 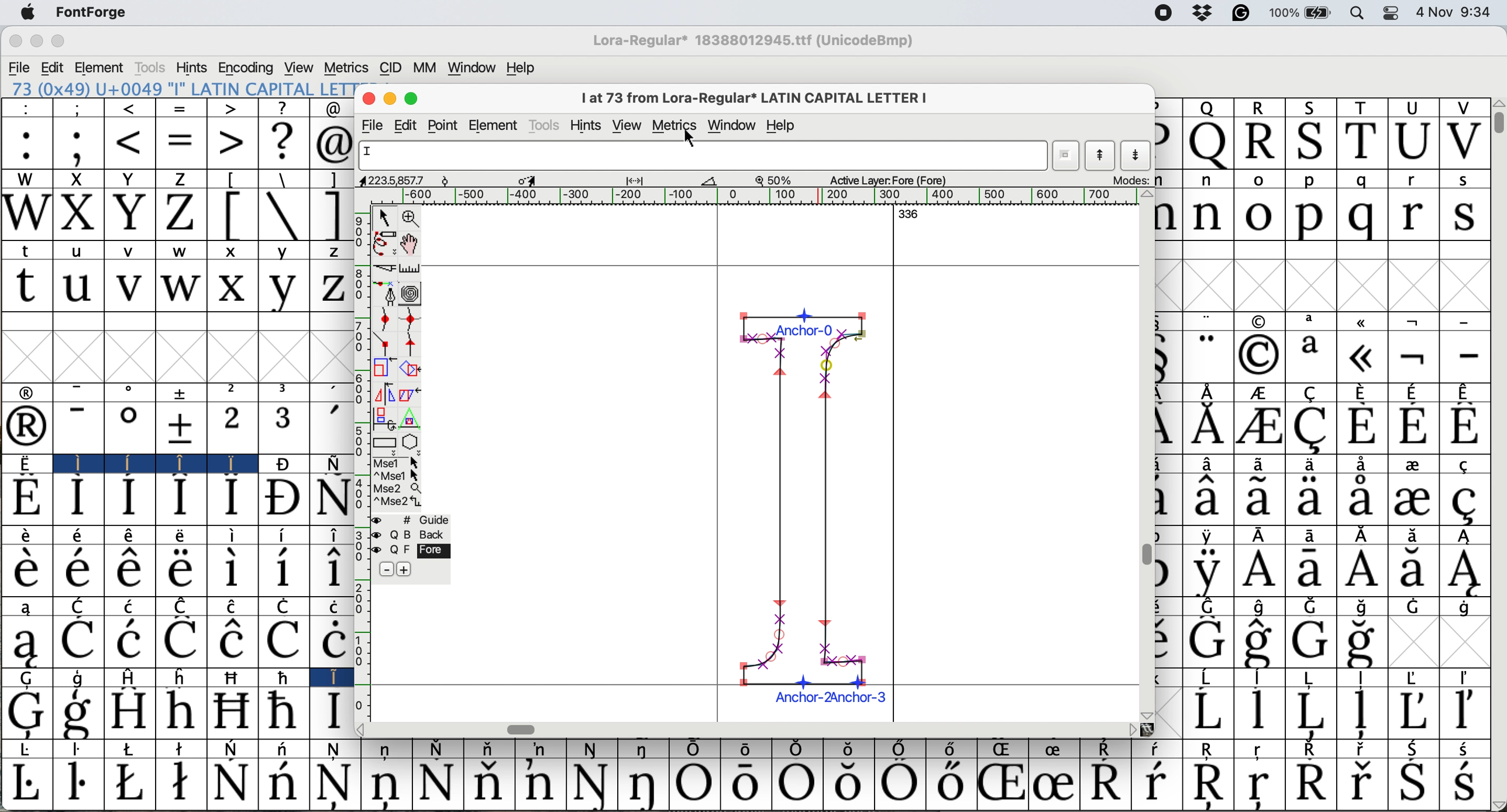 I want to click on H, so click(x=134, y=677).